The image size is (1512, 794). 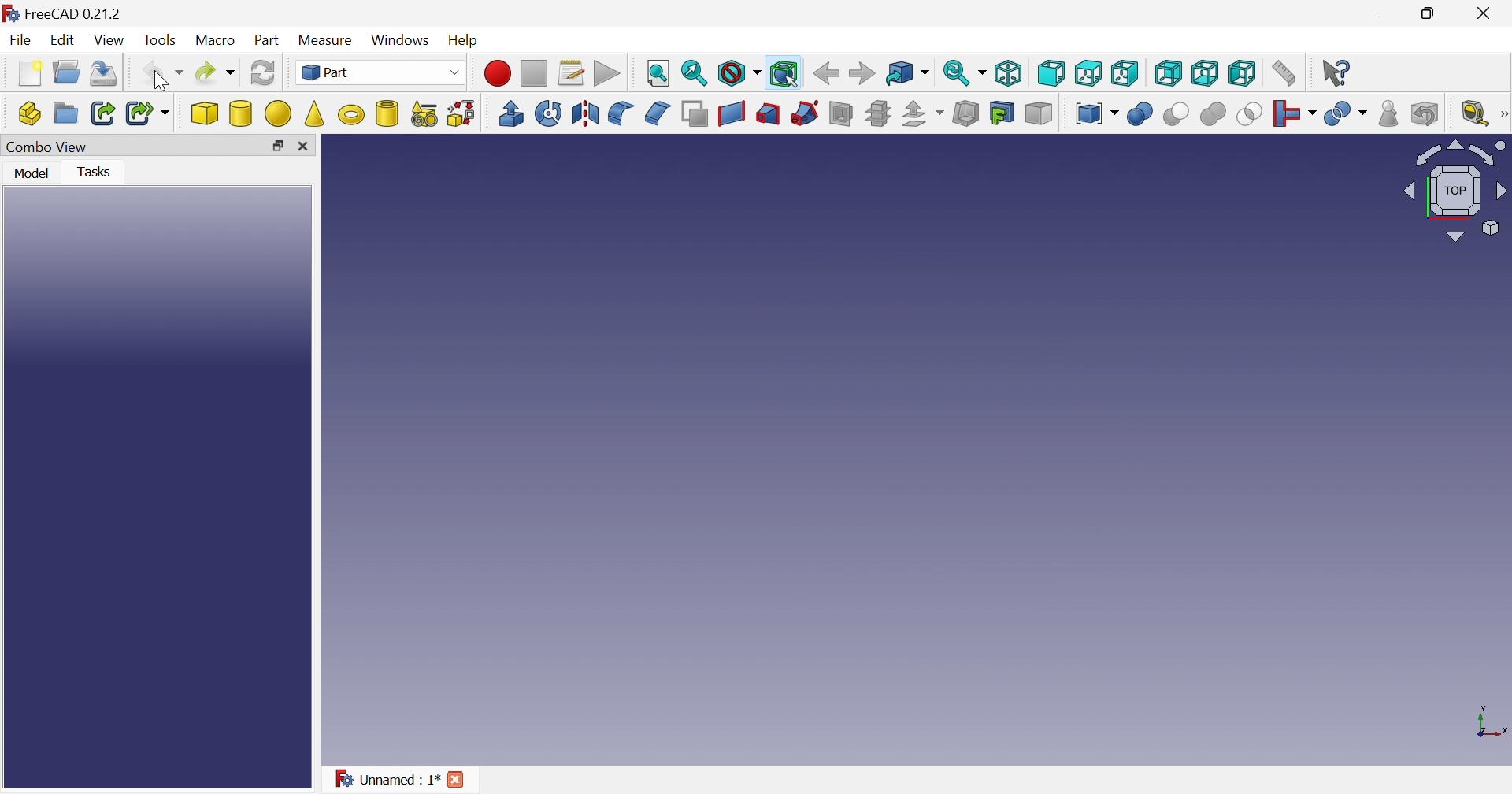 What do you see at coordinates (572, 72) in the screenshot?
I see `Macros...` at bounding box center [572, 72].